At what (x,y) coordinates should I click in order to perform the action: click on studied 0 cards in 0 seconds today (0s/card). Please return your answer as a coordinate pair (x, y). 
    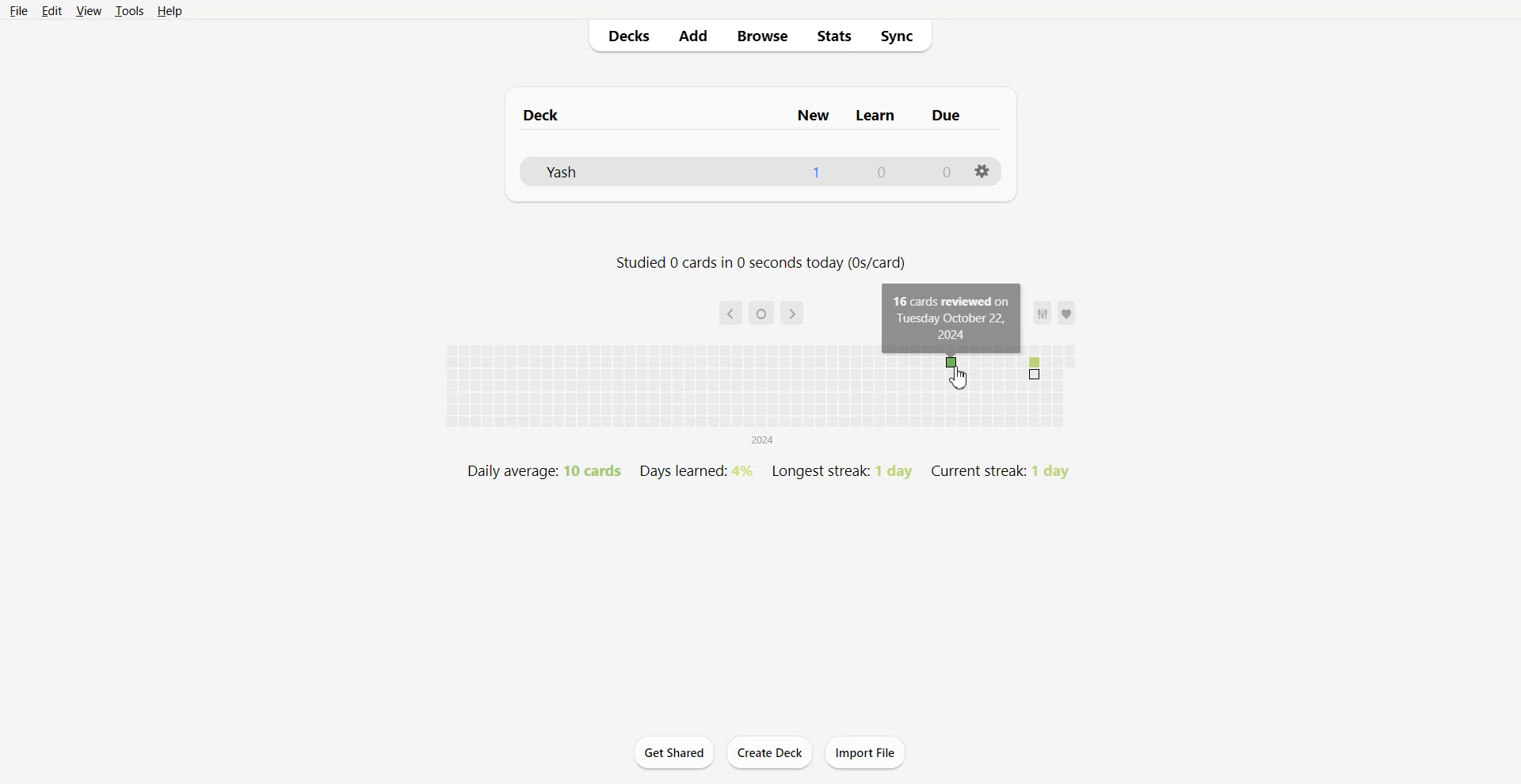
    Looking at the image, I should click on (761, 263).